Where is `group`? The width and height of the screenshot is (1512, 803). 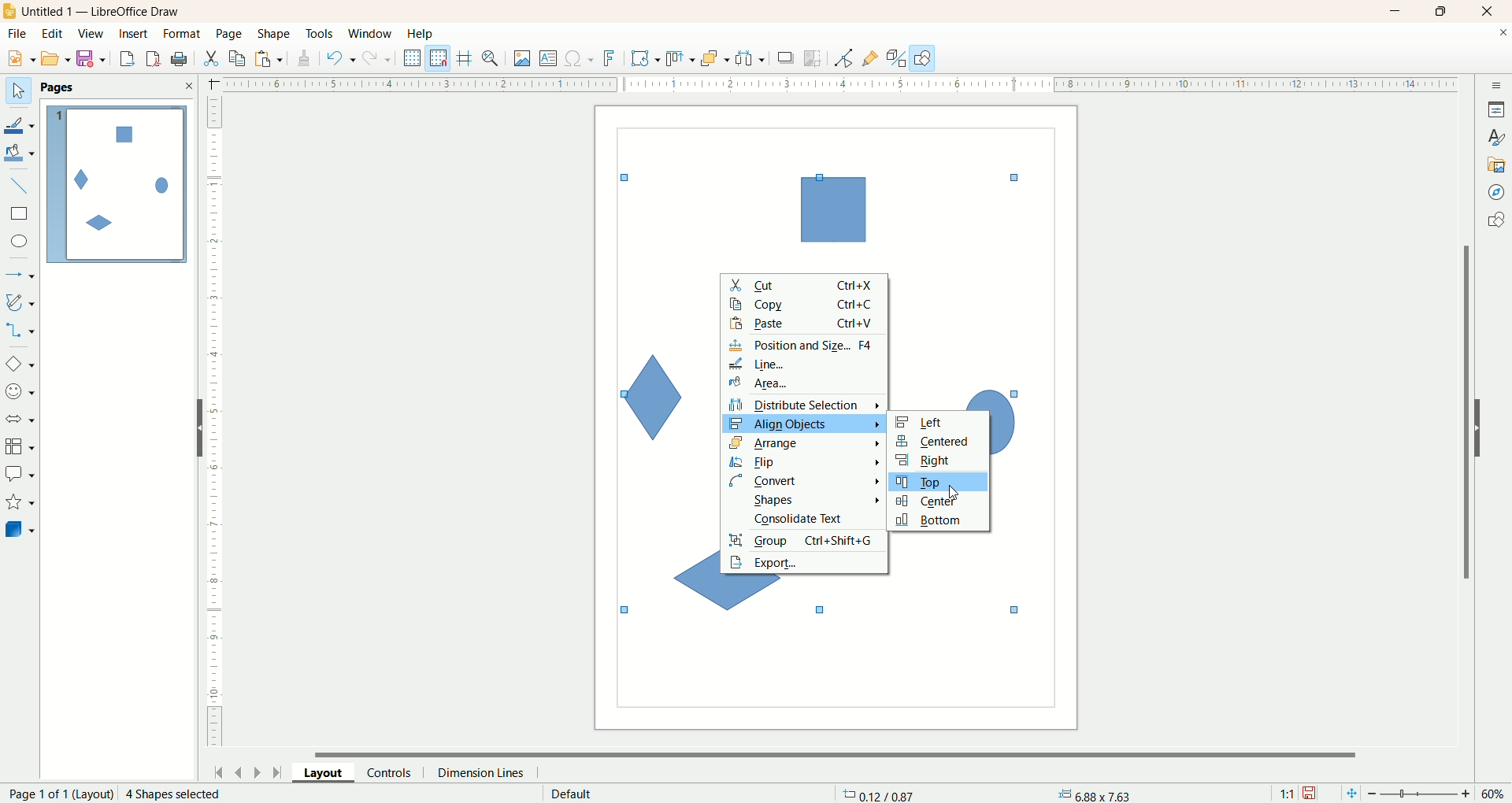 group is located at coordinates (804, 539).